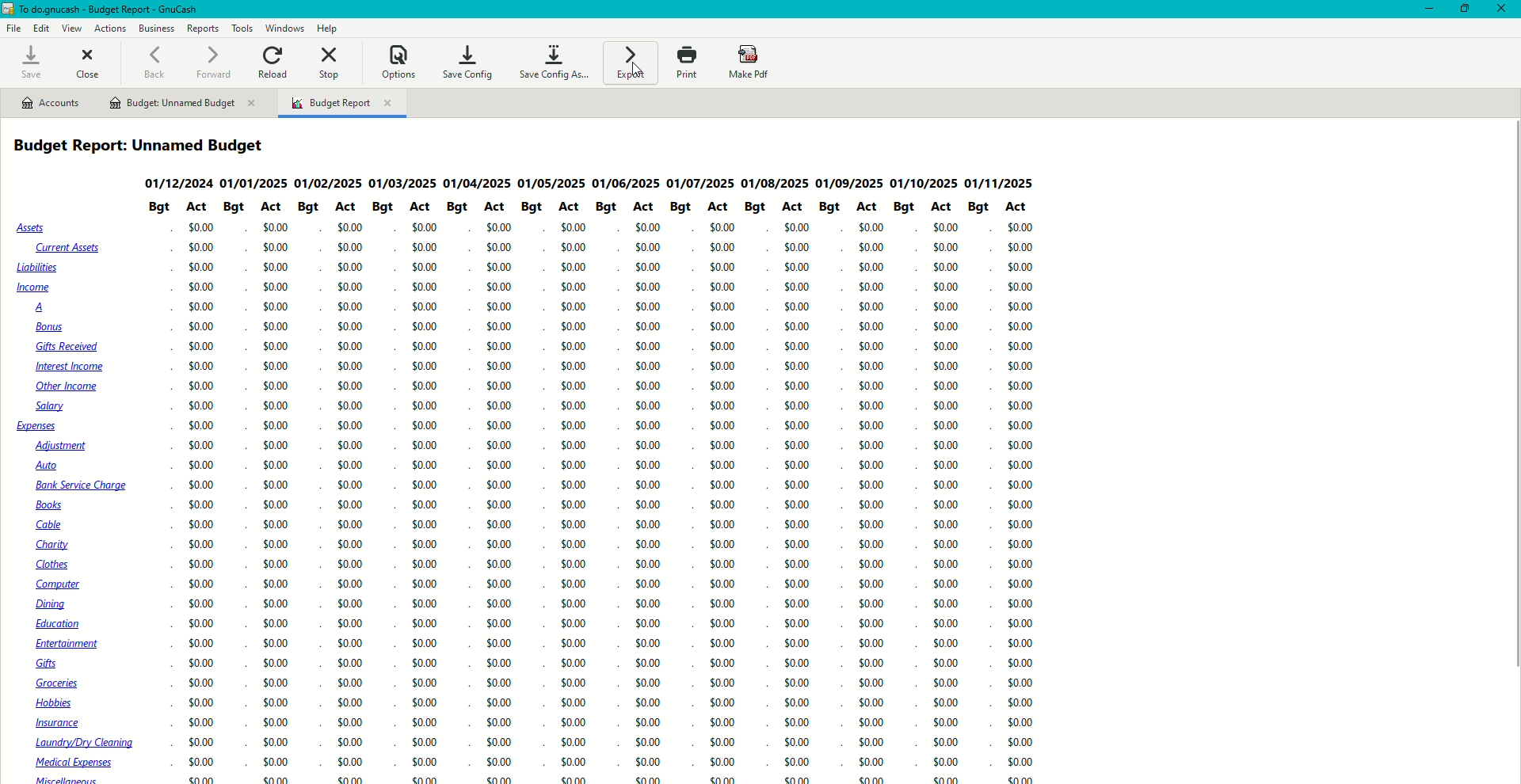  What do you see at coordinates (646, 326) in the screenshot?
I see `$0.00` at bounding box center [646, 326].